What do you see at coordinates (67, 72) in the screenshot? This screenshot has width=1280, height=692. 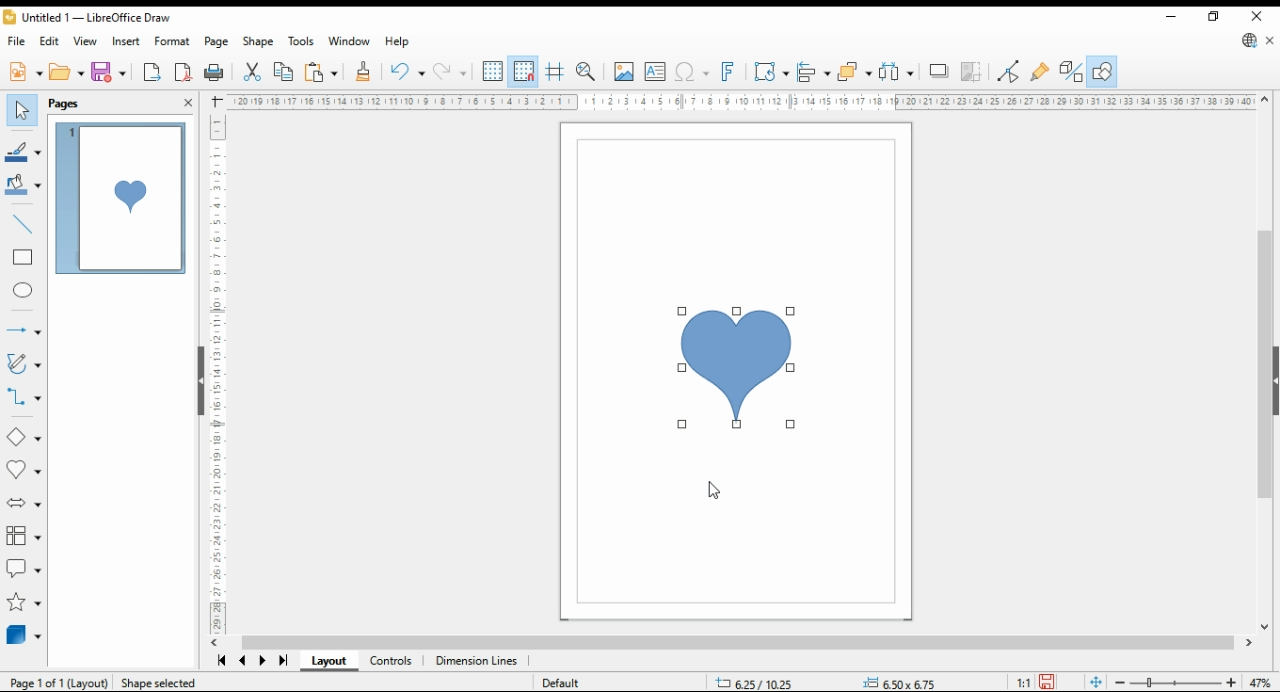 I see `open ` at bounding box center [67, 72].